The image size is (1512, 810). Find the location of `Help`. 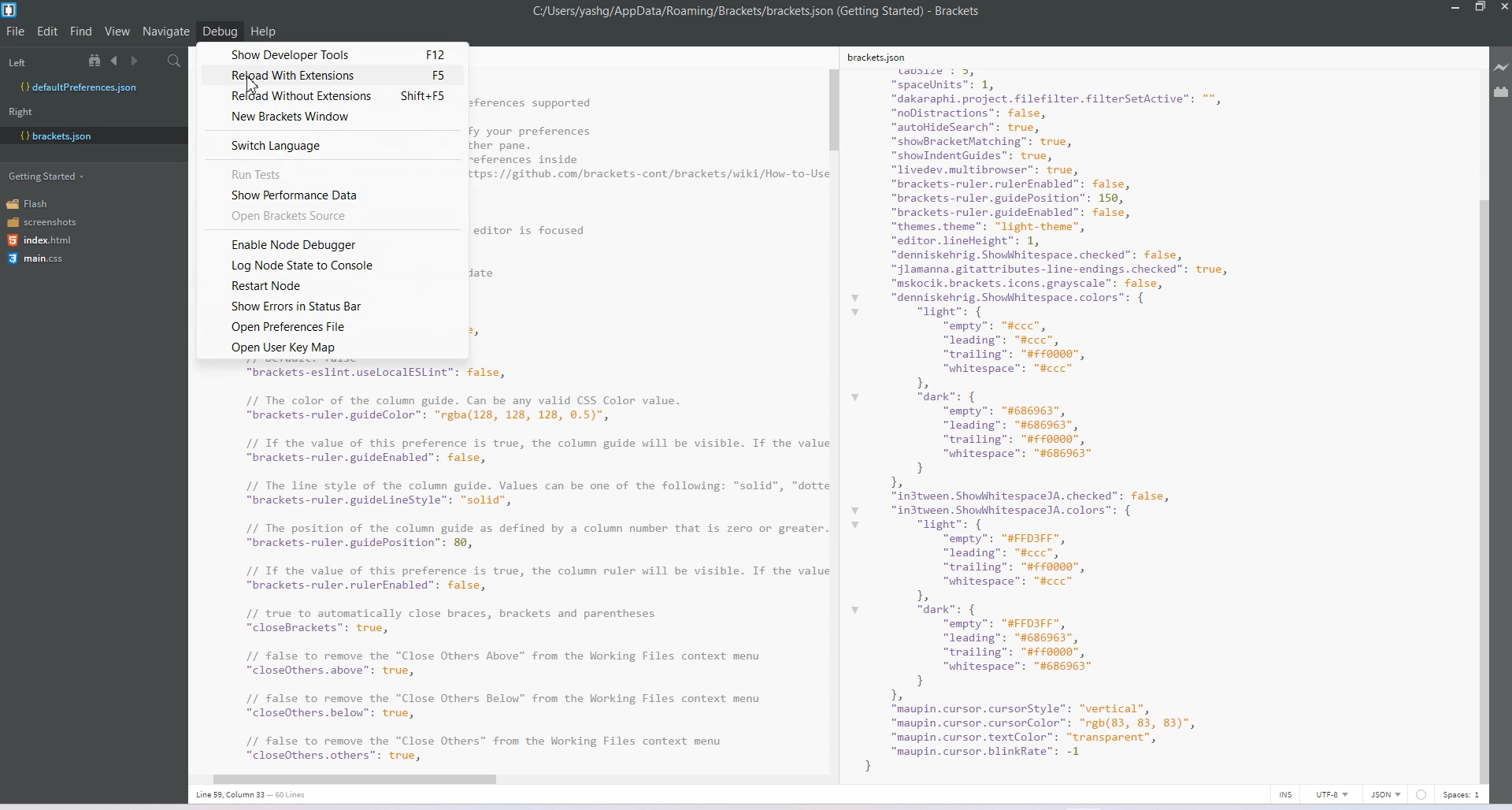

Help is located at coordinates (264, 32).